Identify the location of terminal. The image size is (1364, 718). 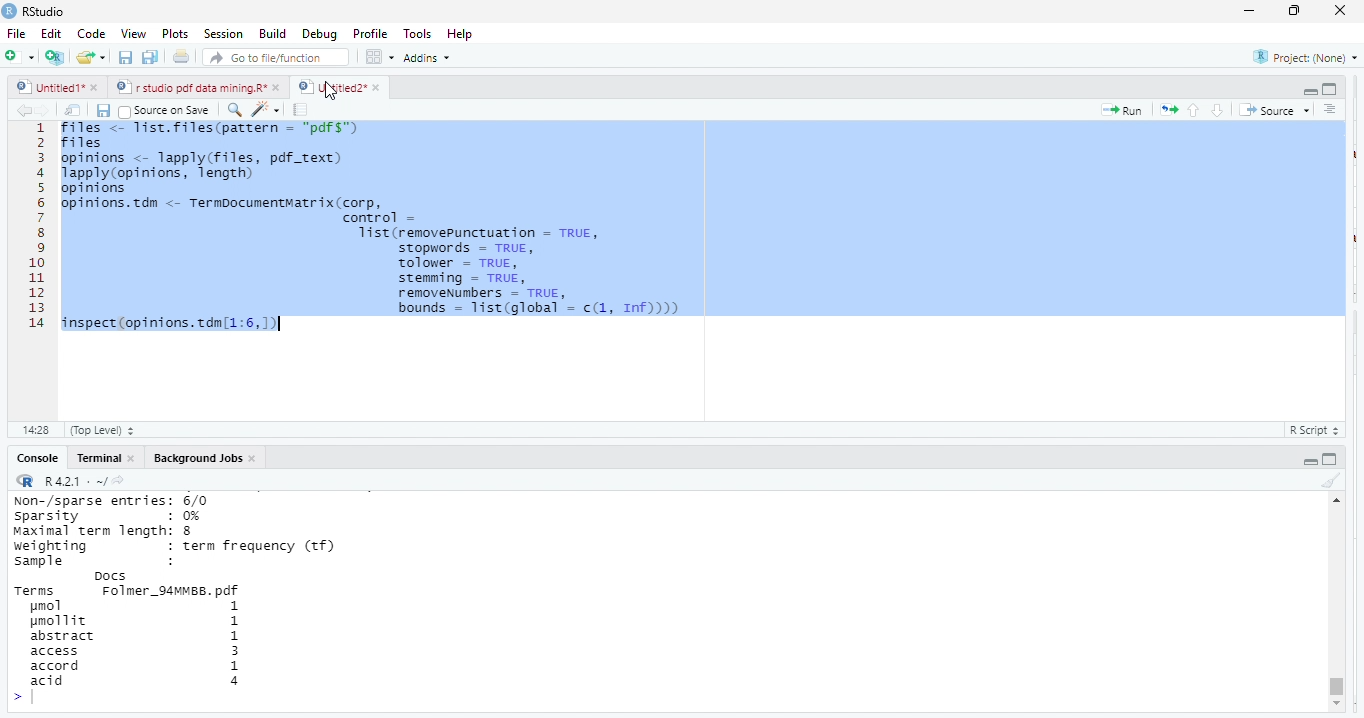
(97, 458).